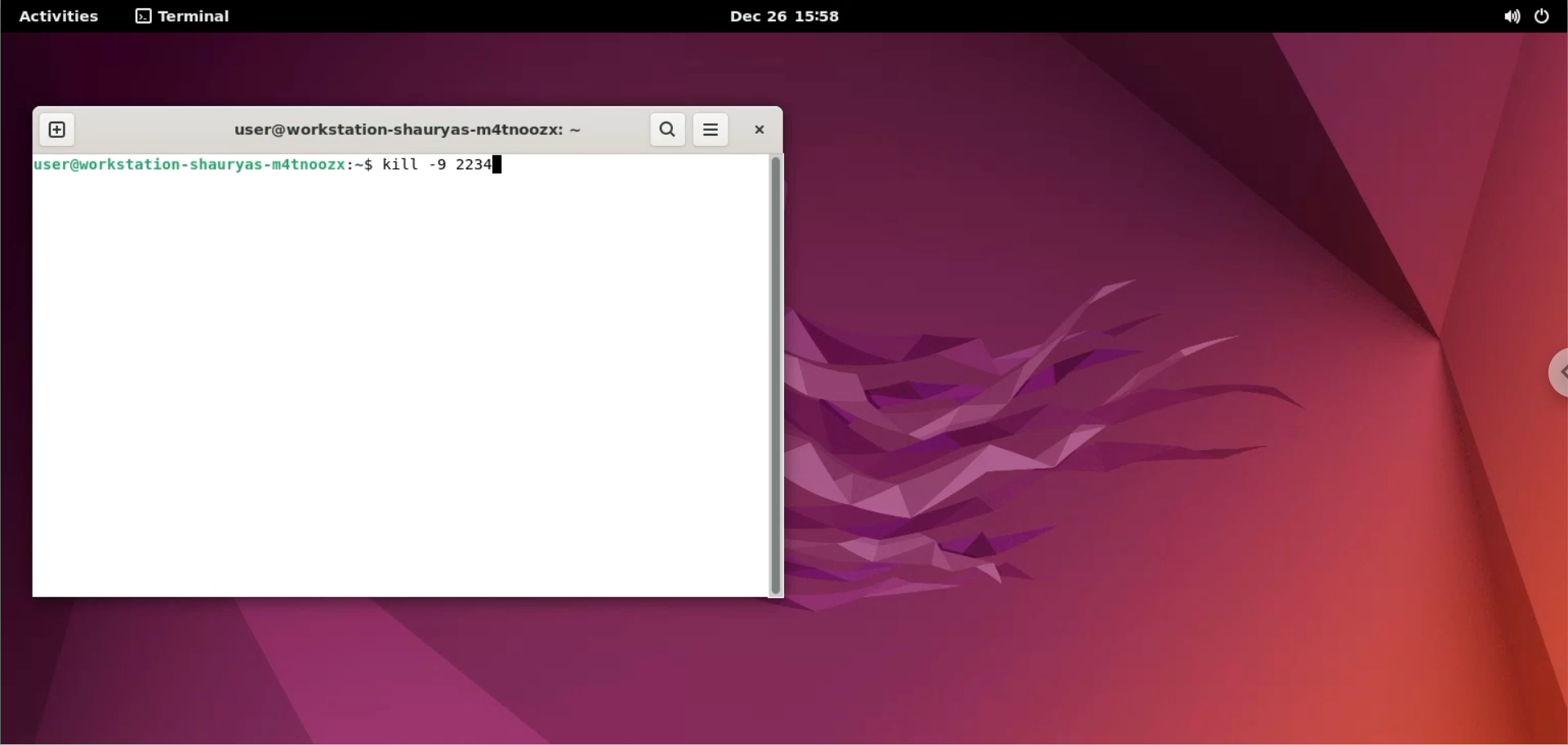 This screenshot has width=1568, height=745. Describe the element at coordinates (1548, 377) in the screenshot. I see `chrome options` at that location.